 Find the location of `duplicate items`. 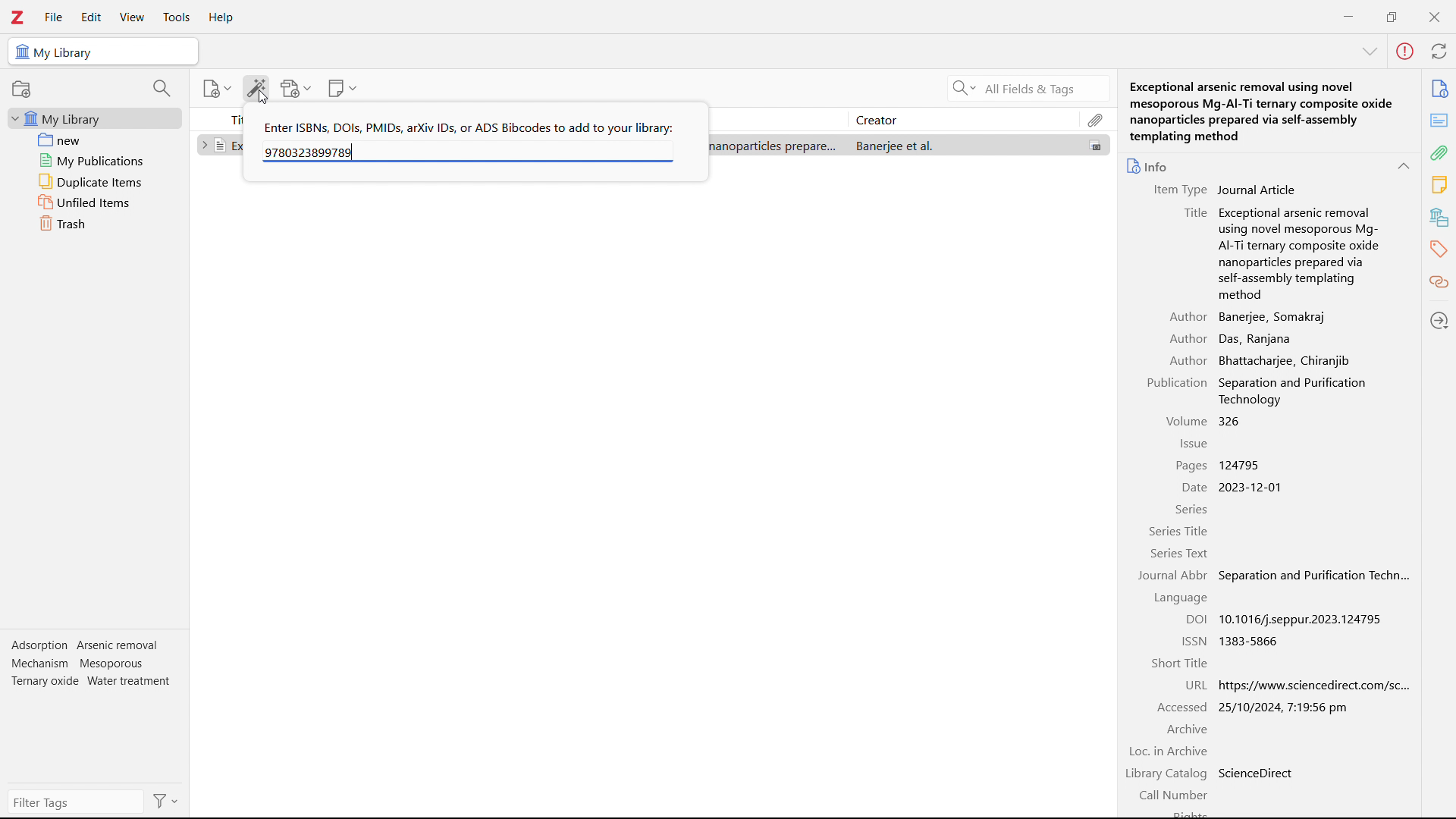

duplicate items is located at coordinates (96, 181).